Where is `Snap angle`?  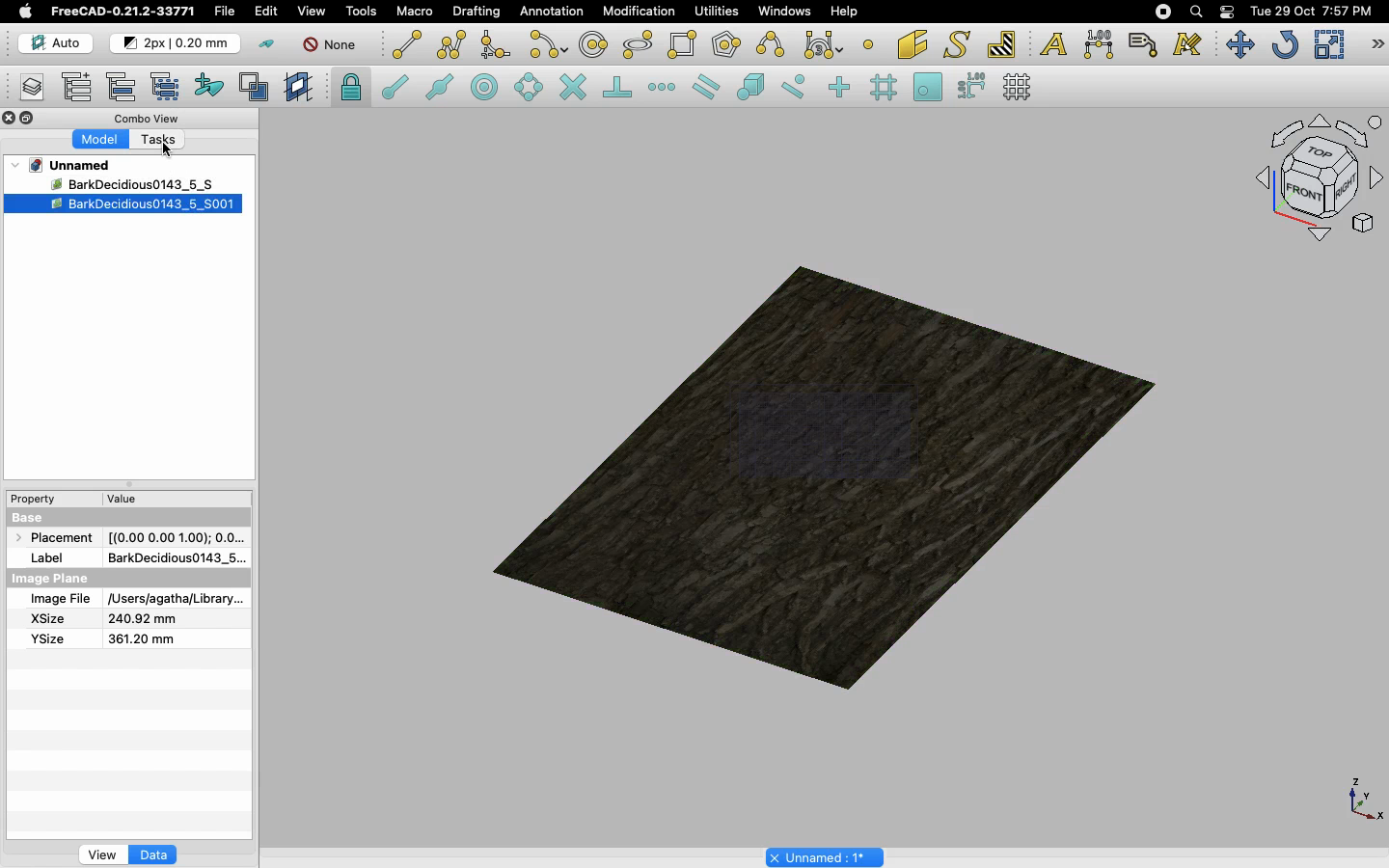
Snap angle is located at coordinates (530, 89).